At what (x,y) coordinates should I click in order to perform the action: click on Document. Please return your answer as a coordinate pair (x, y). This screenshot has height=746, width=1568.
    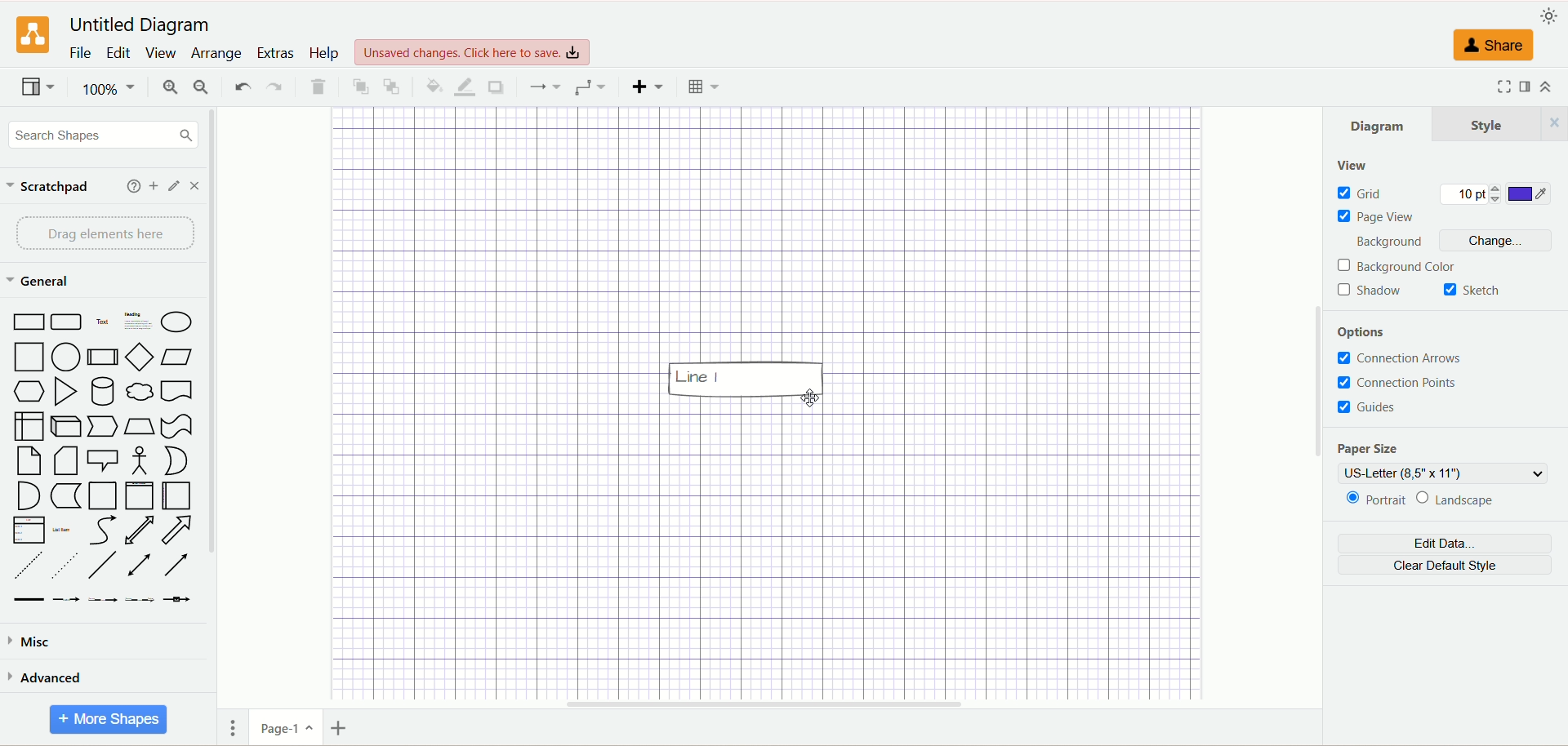
    Looking at the image, I should click on (177, 389).